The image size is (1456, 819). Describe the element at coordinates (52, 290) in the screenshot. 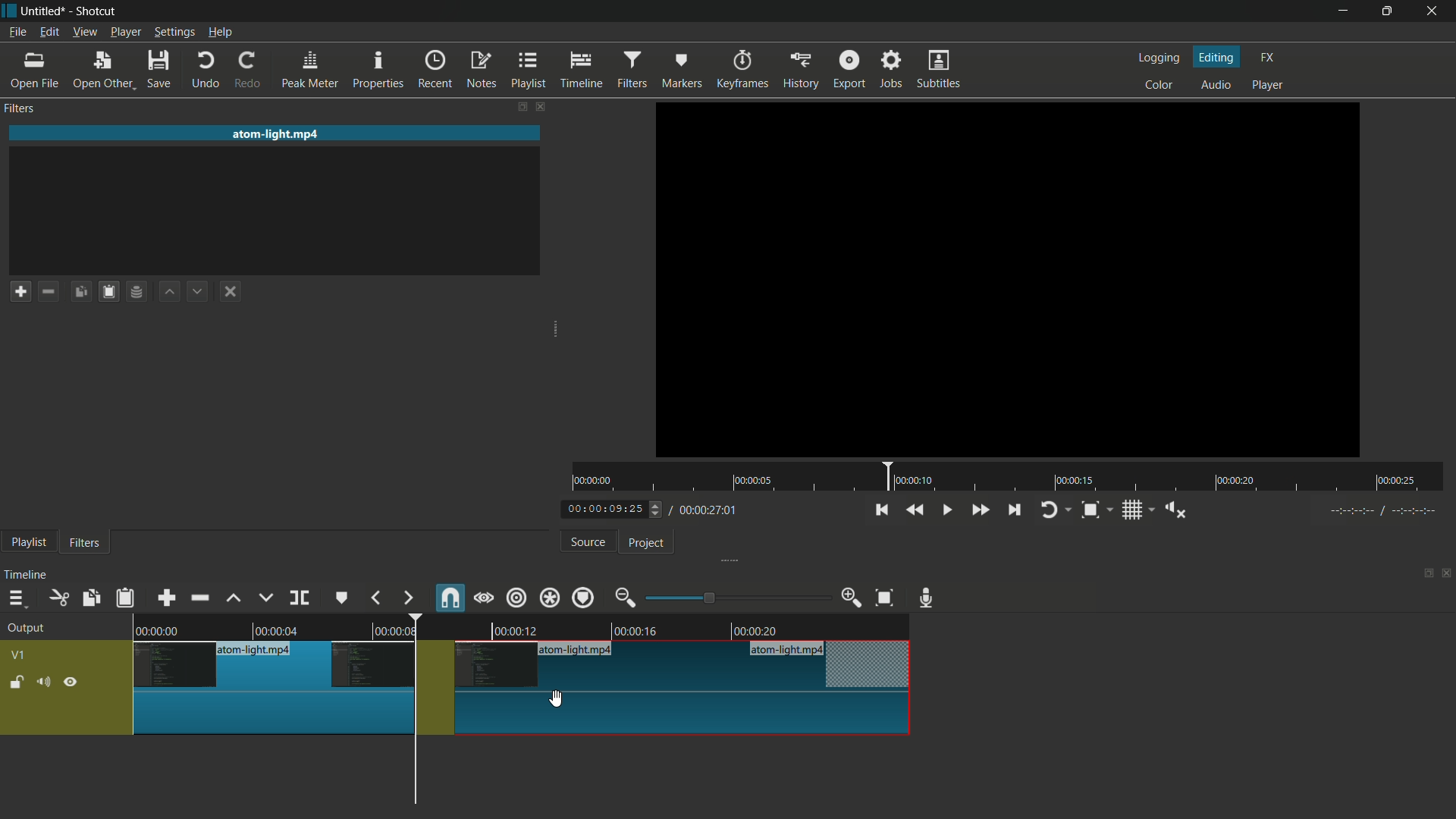

I see `remove a filter` at that location.